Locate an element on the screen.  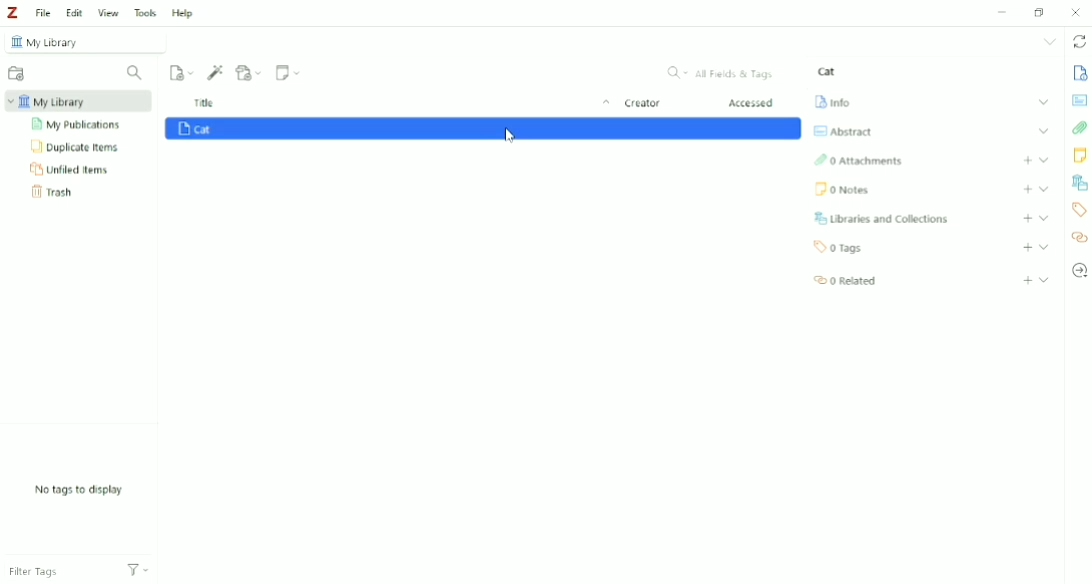
Cat is located at coordinates (482, 128).